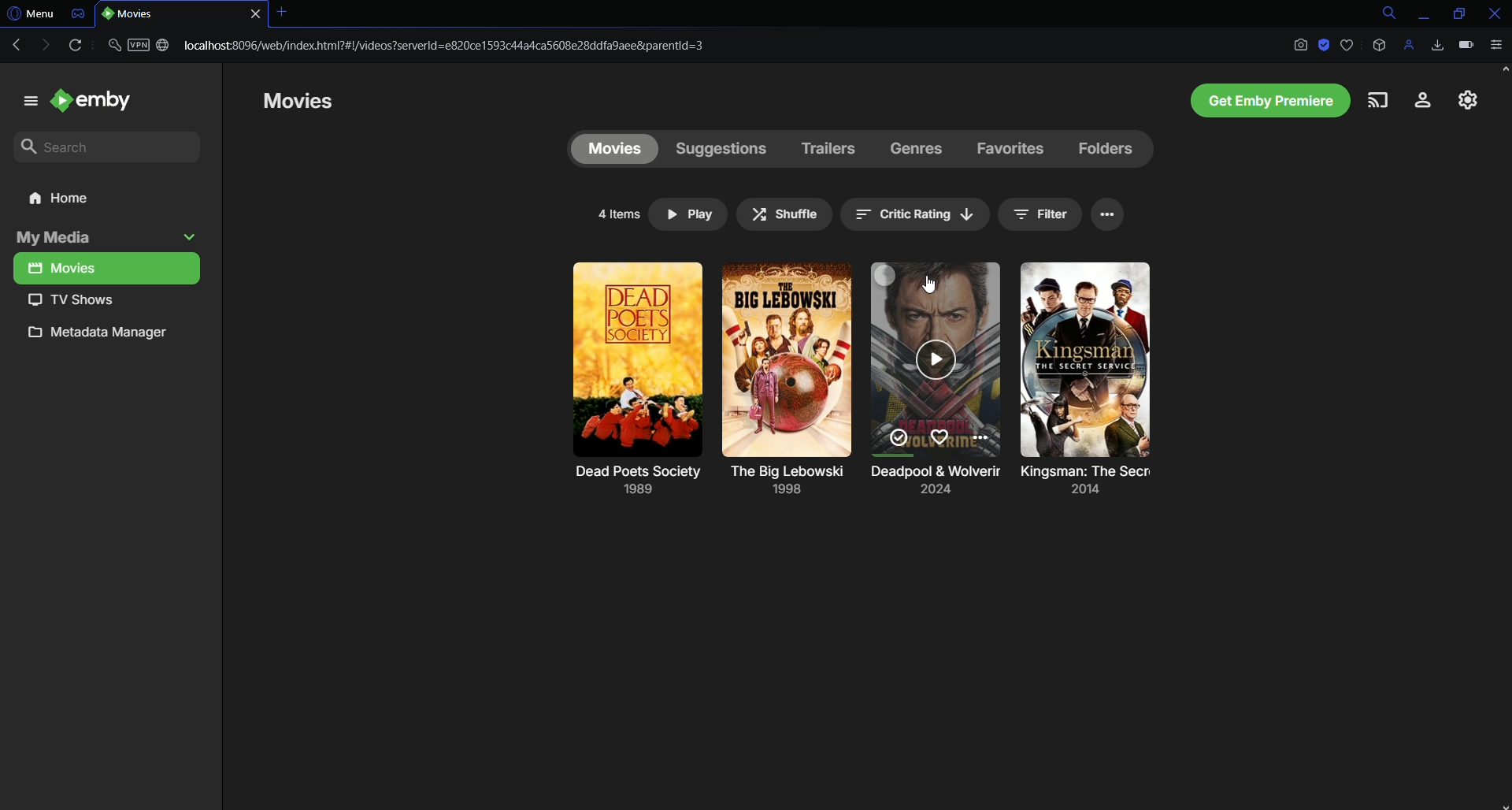 Image resolution: width=1512 pixels, height=810 pixels. I want to click on Shuffle, so click(791, 214).